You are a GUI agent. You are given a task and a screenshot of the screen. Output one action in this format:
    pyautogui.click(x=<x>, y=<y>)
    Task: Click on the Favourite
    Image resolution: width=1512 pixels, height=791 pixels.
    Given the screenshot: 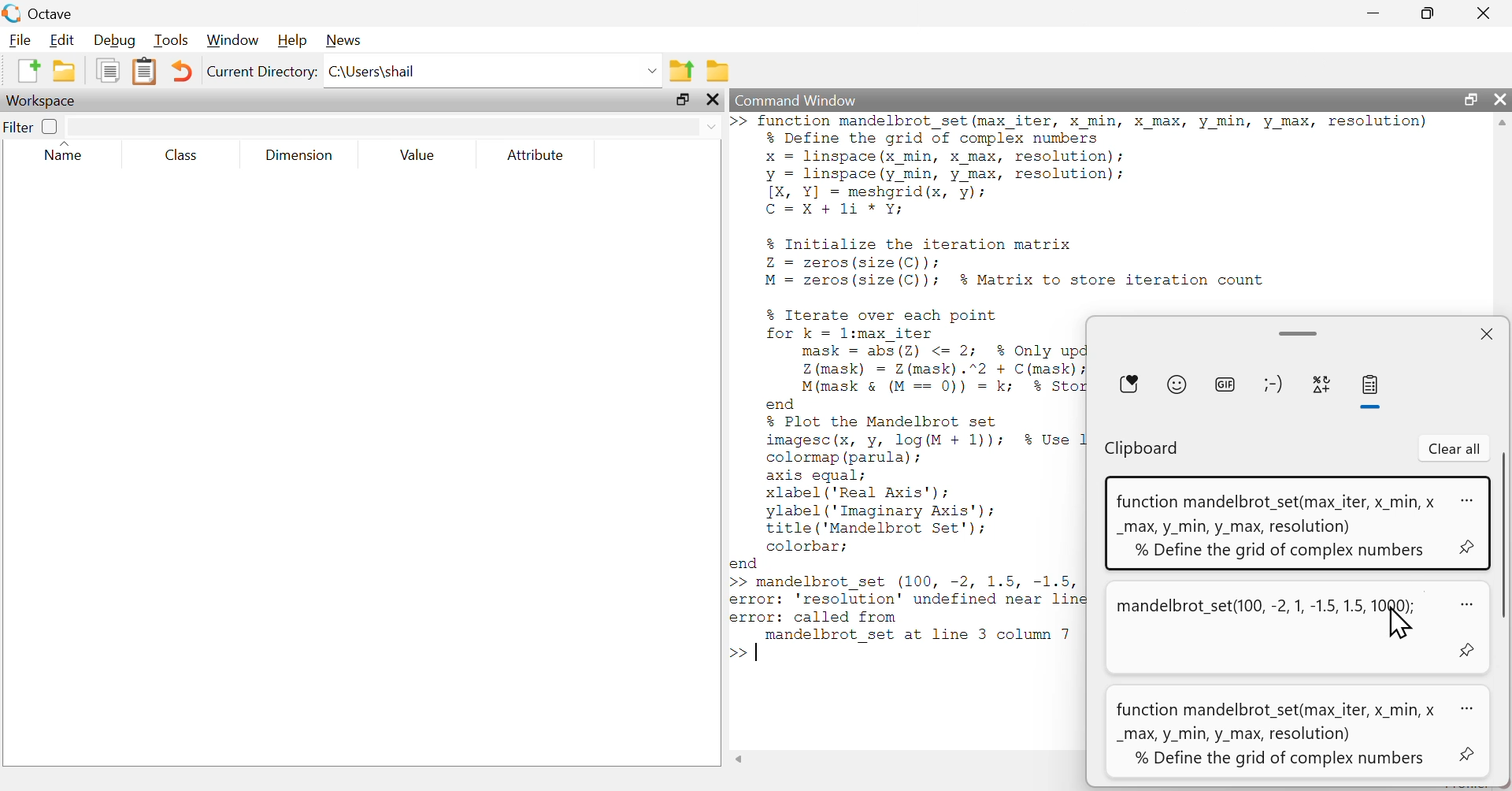 What is the action you would take?
    pyautogui.click(x=1128, y=384)
    